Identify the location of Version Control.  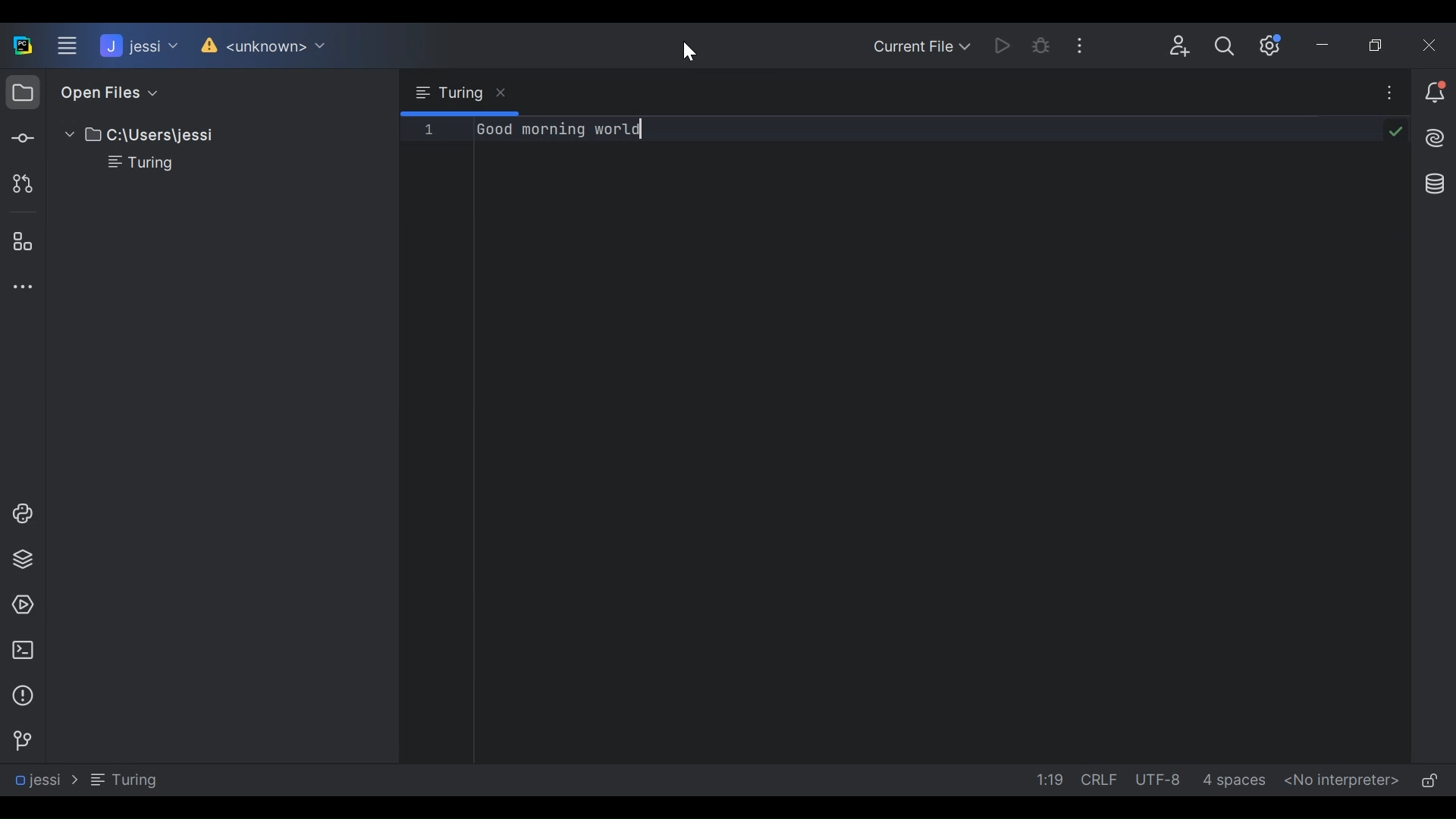
(18, 741).